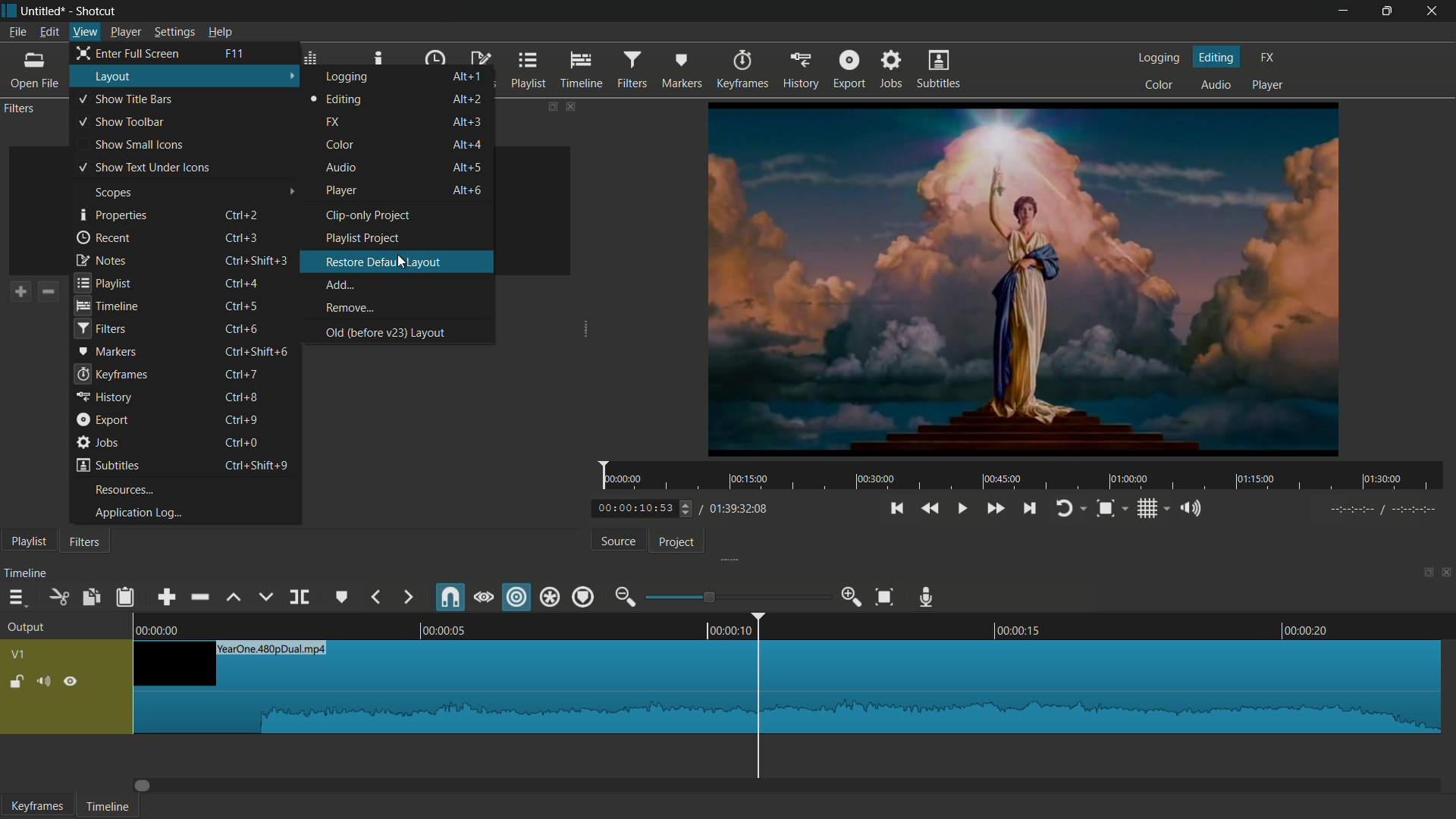 This screenshot has height=819, width=1456. I want to click on export, so click(101, 419).